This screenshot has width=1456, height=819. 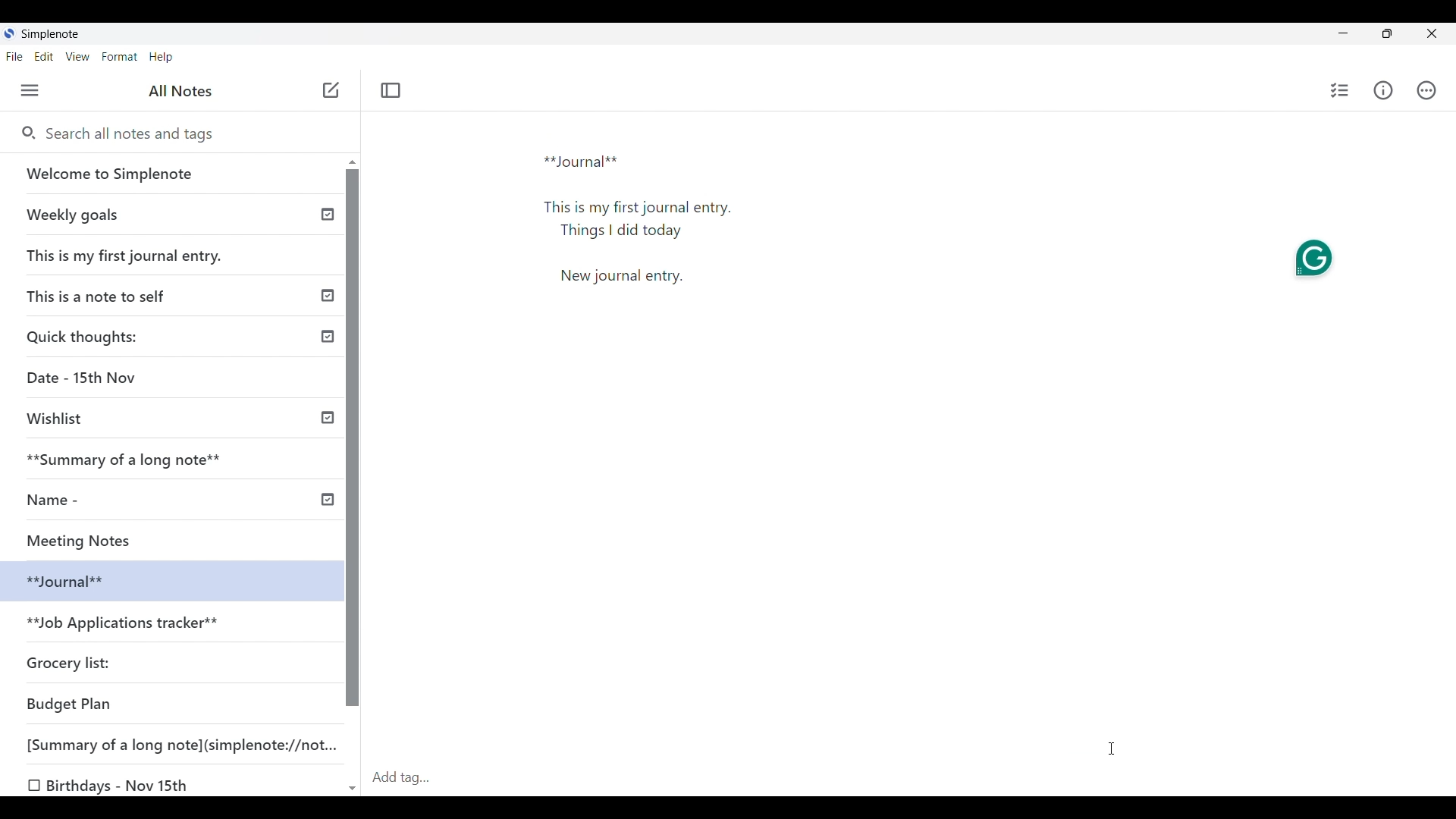 I want to click on Quick thoughts:, so click(x=85, y=336).